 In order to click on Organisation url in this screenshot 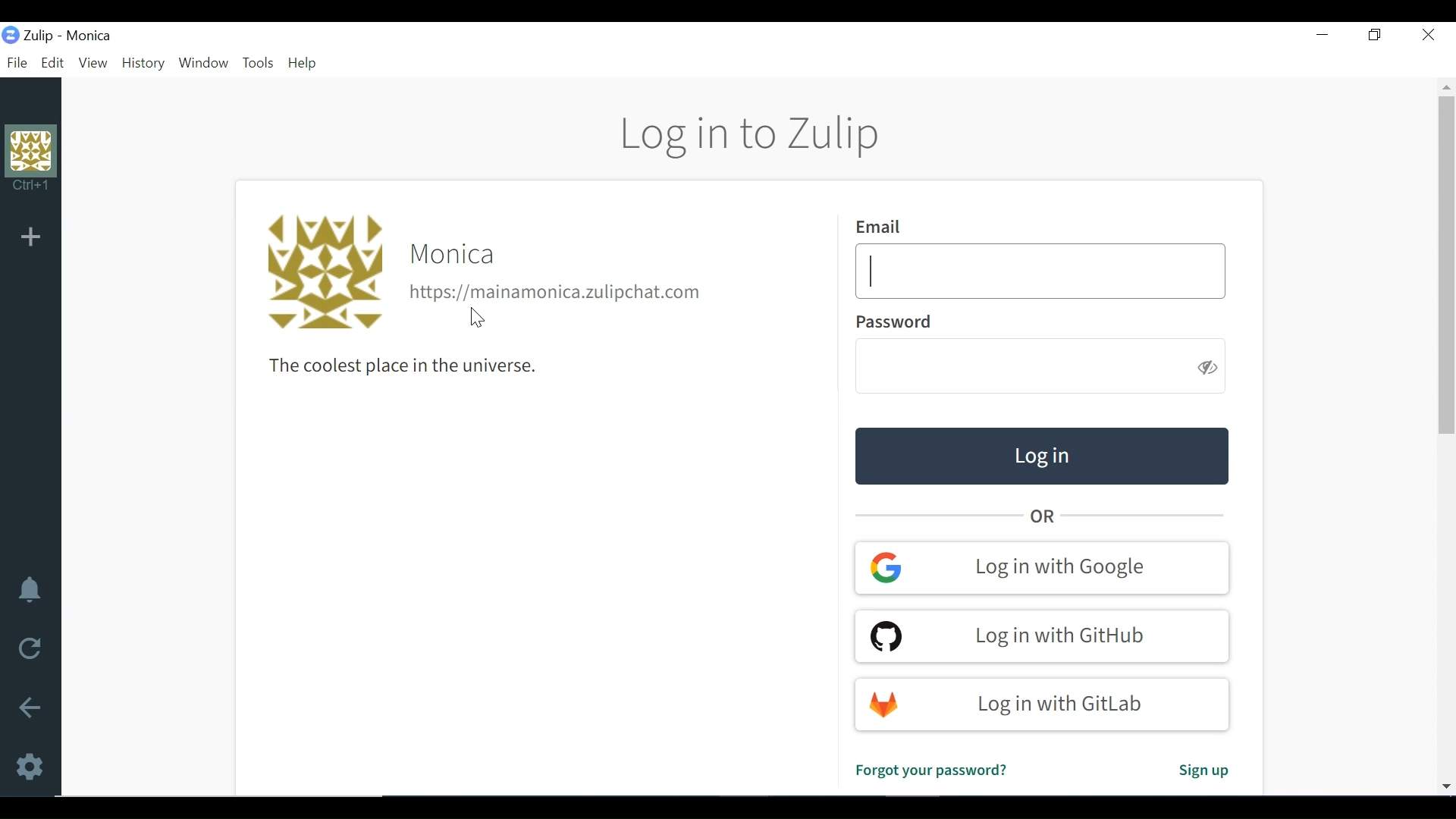, I will do `click(557, 293)`.